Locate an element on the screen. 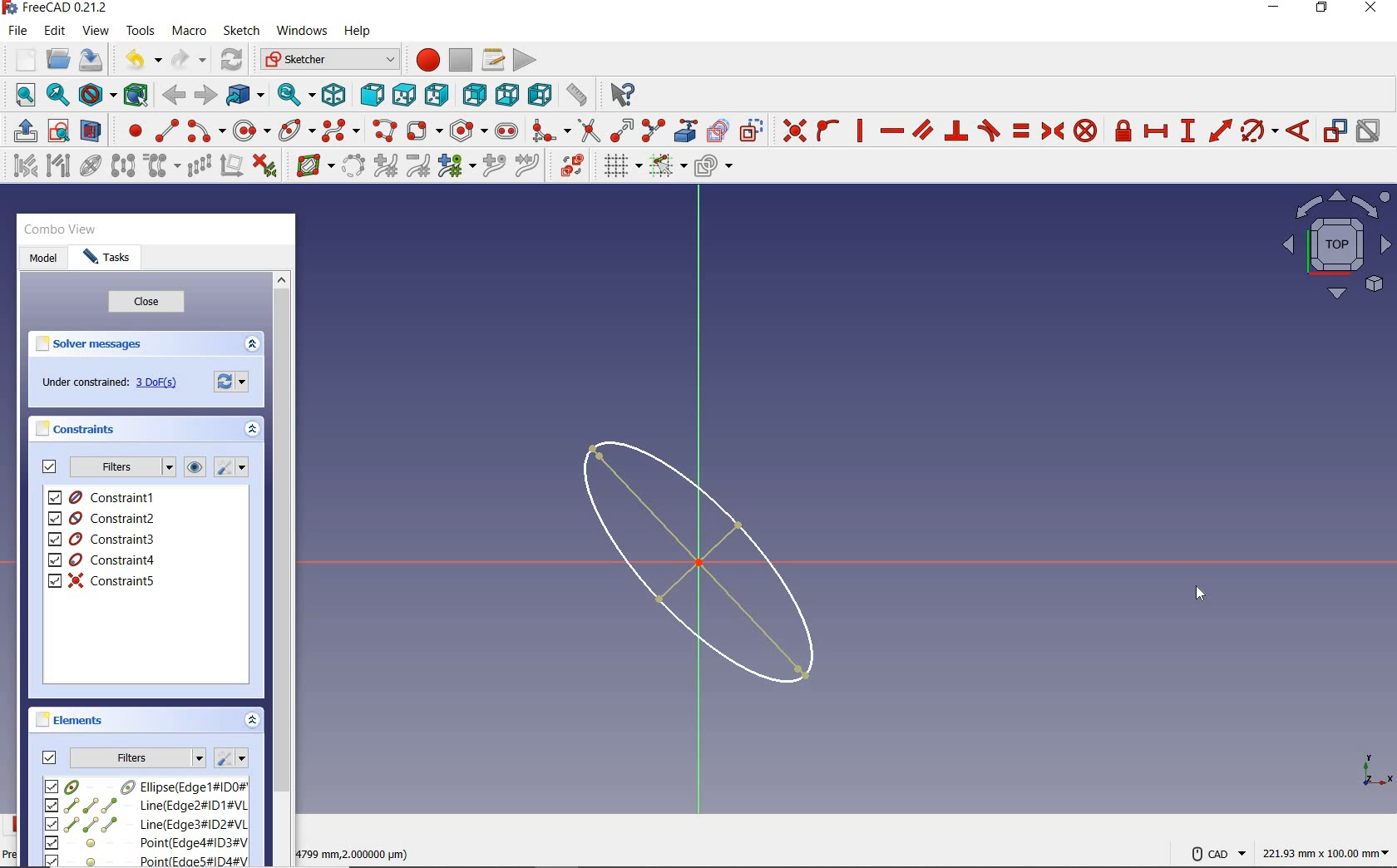  undo is located at coordinates (139, 60).